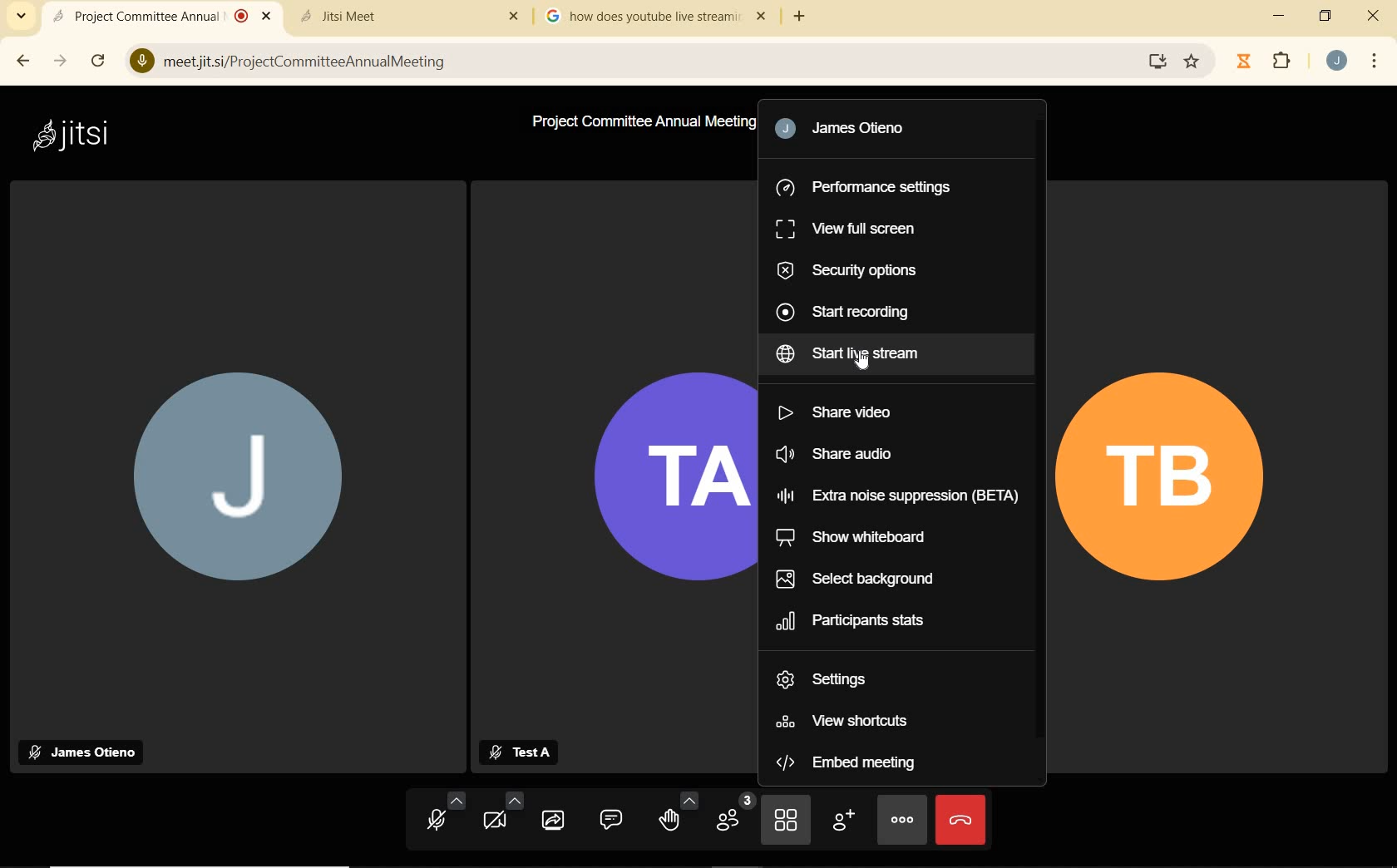 The width and height of the screenshot is (1397, 868). I want to click on EMBED MEETING, so click(851, 764).